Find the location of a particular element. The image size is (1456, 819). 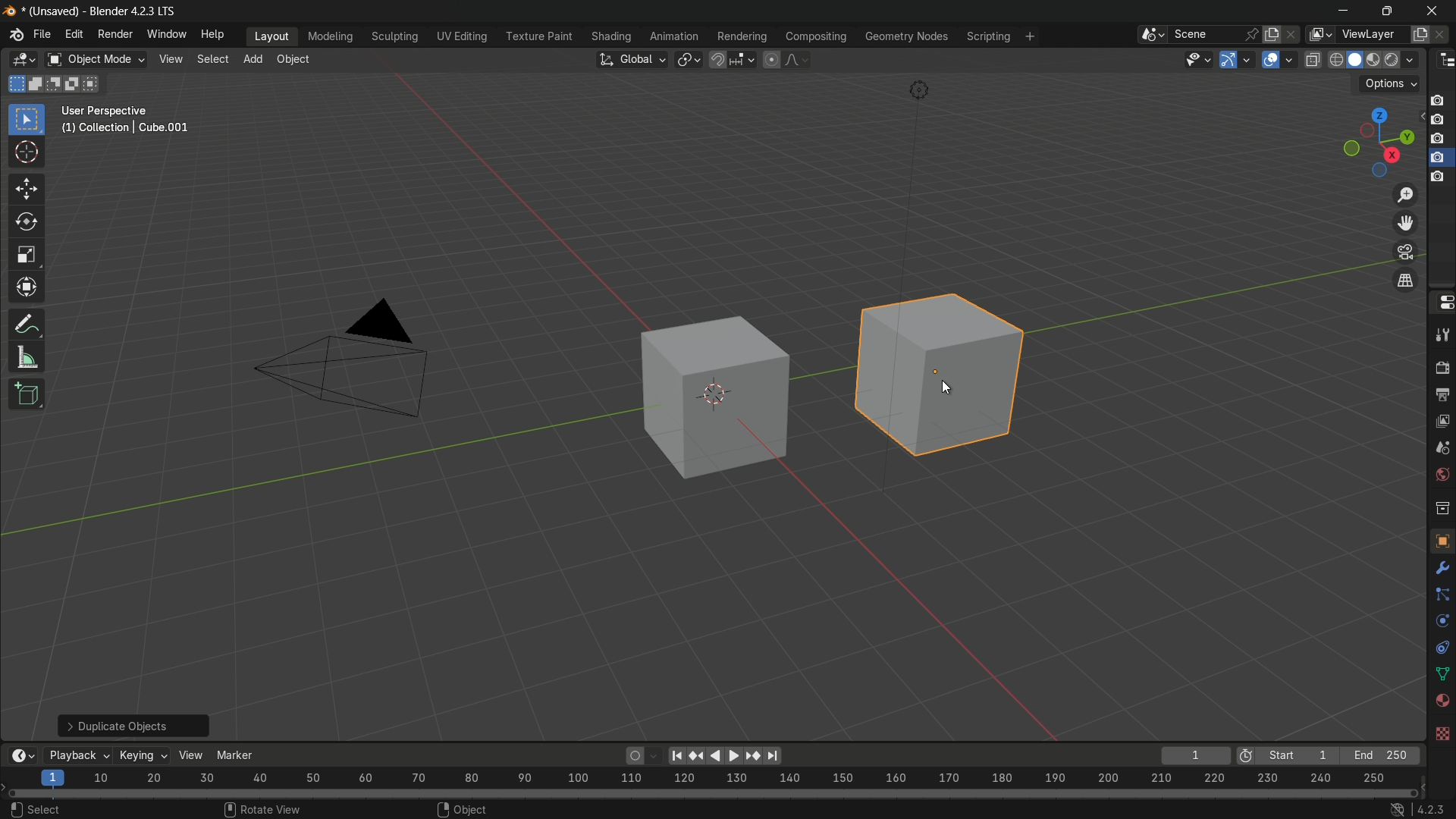

Automatic Constraint is located at coordinates (845, 809).